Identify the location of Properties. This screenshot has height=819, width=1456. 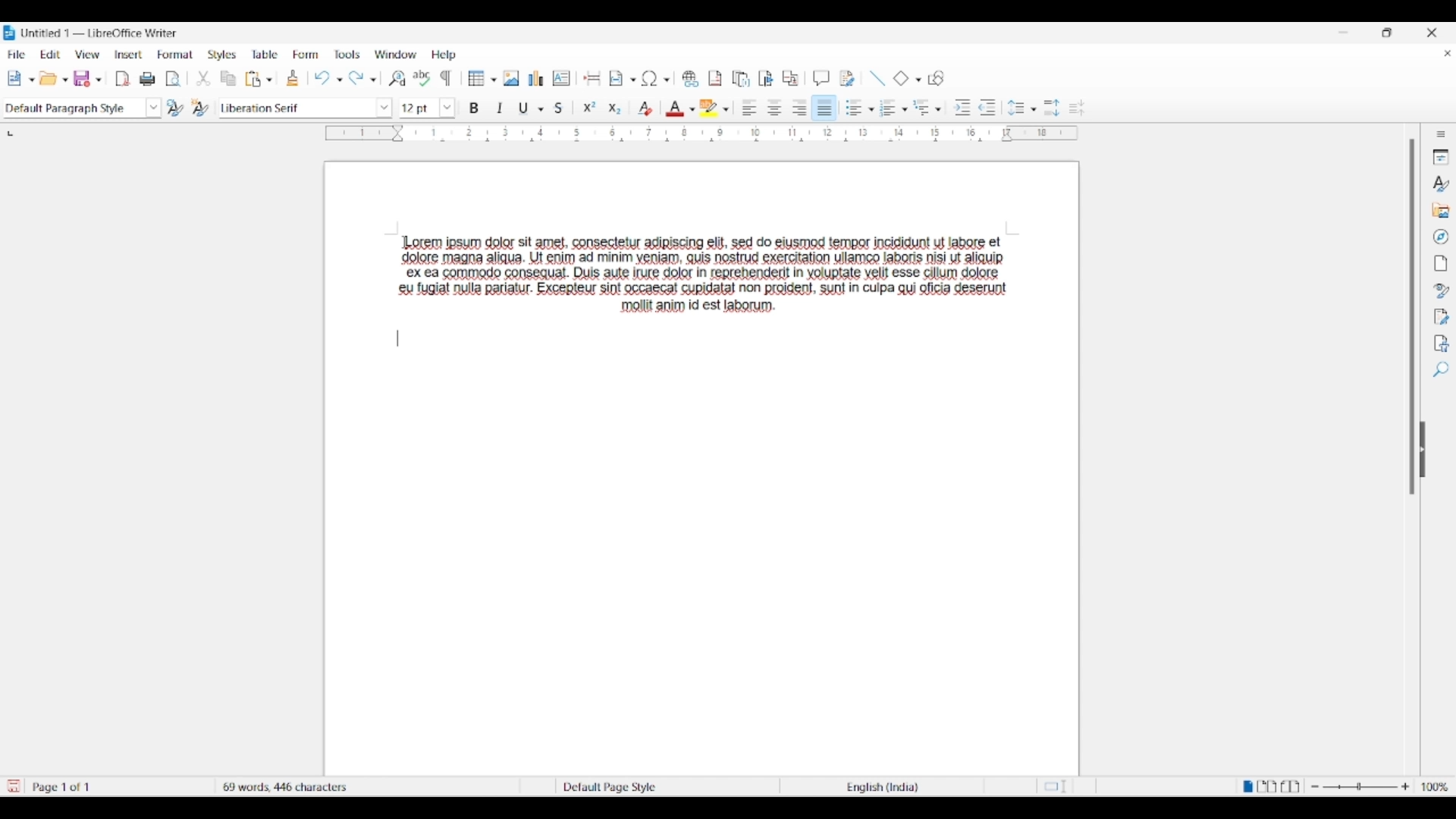
(1441, 157).